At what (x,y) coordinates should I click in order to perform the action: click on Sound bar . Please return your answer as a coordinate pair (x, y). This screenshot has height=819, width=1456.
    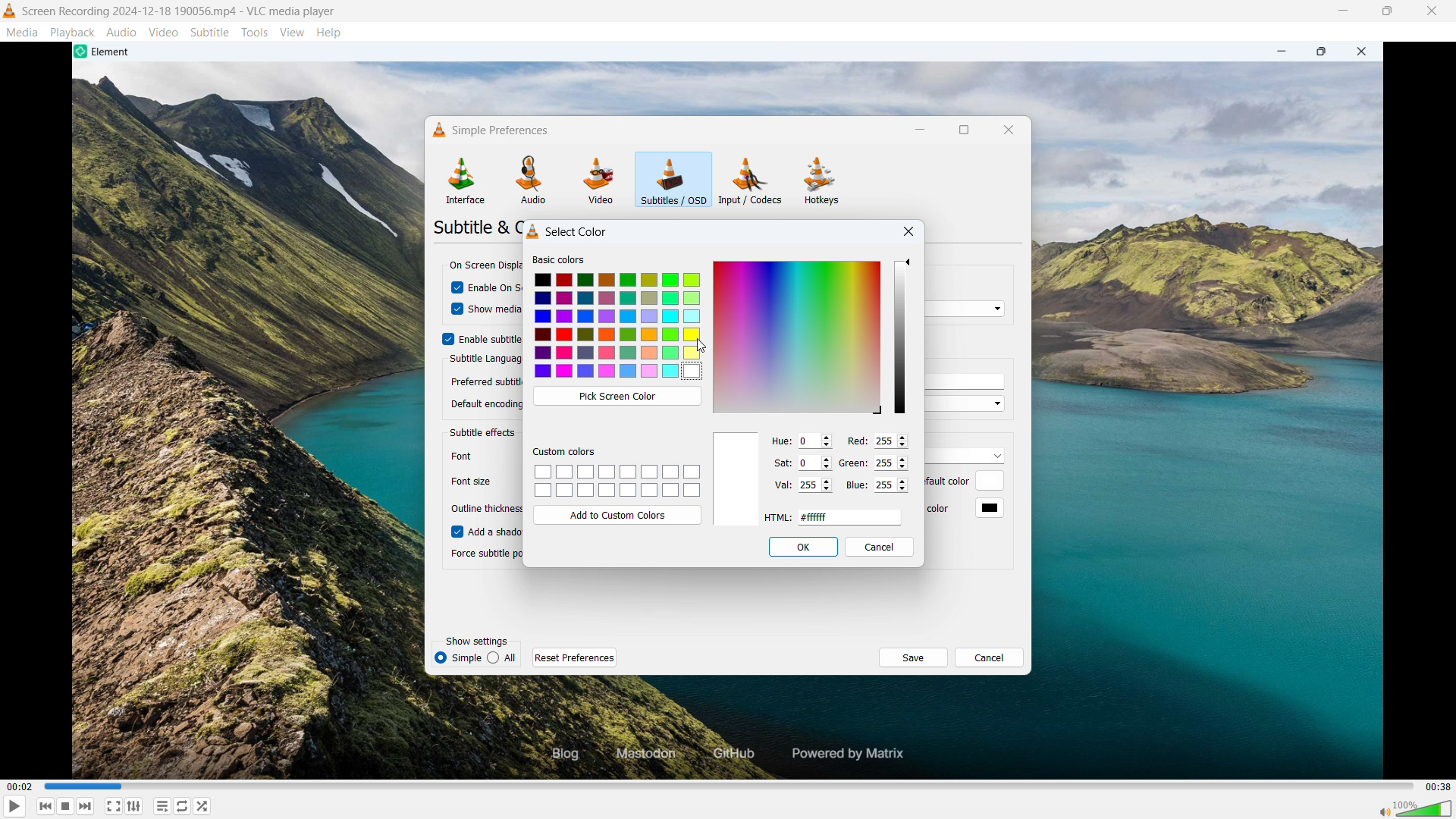
    Looking at the image, I should click on (1416, 808).